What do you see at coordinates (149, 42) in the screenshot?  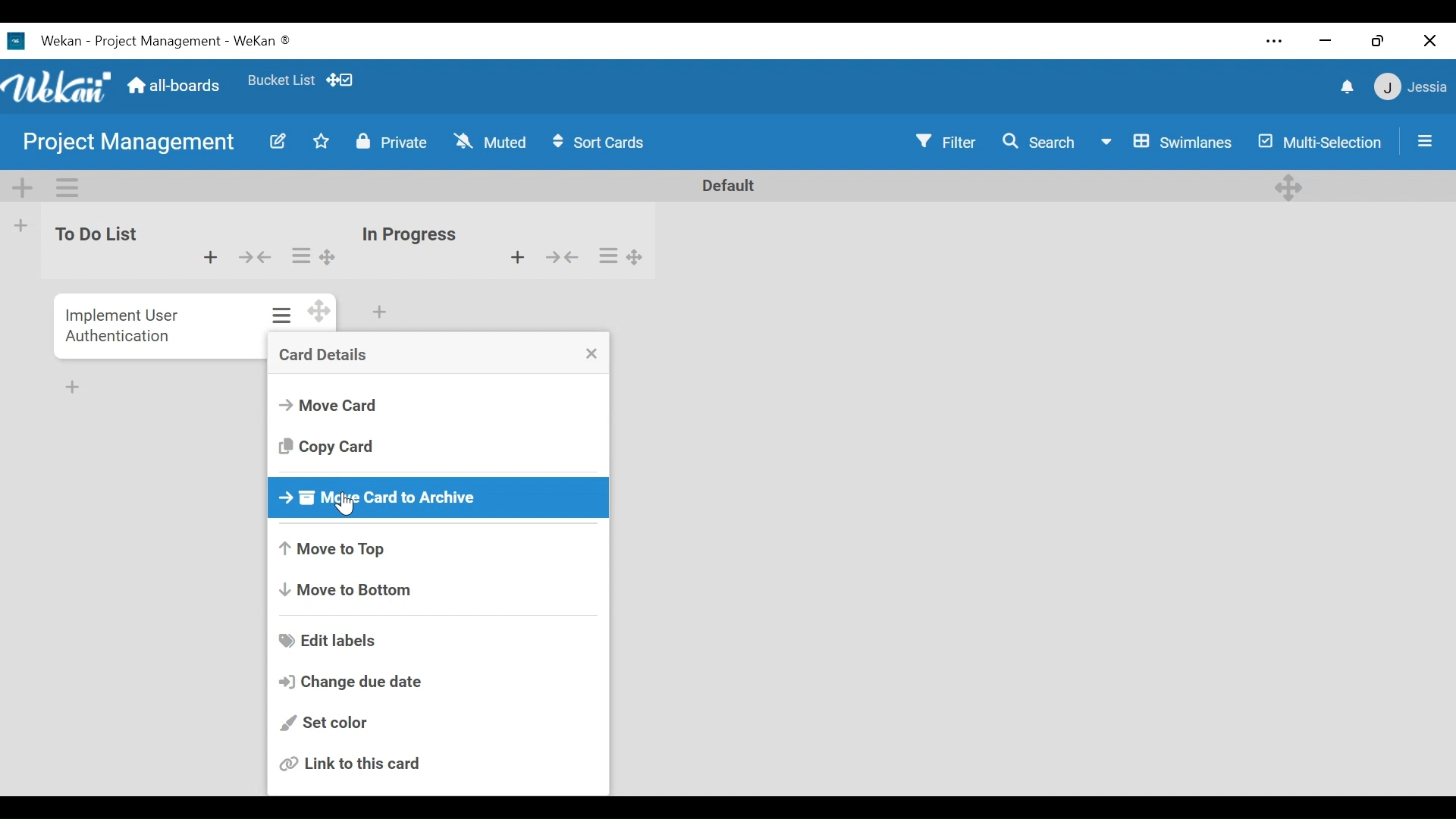 I see `Wekan Desktop Icon` at bounding box center [149, 42].